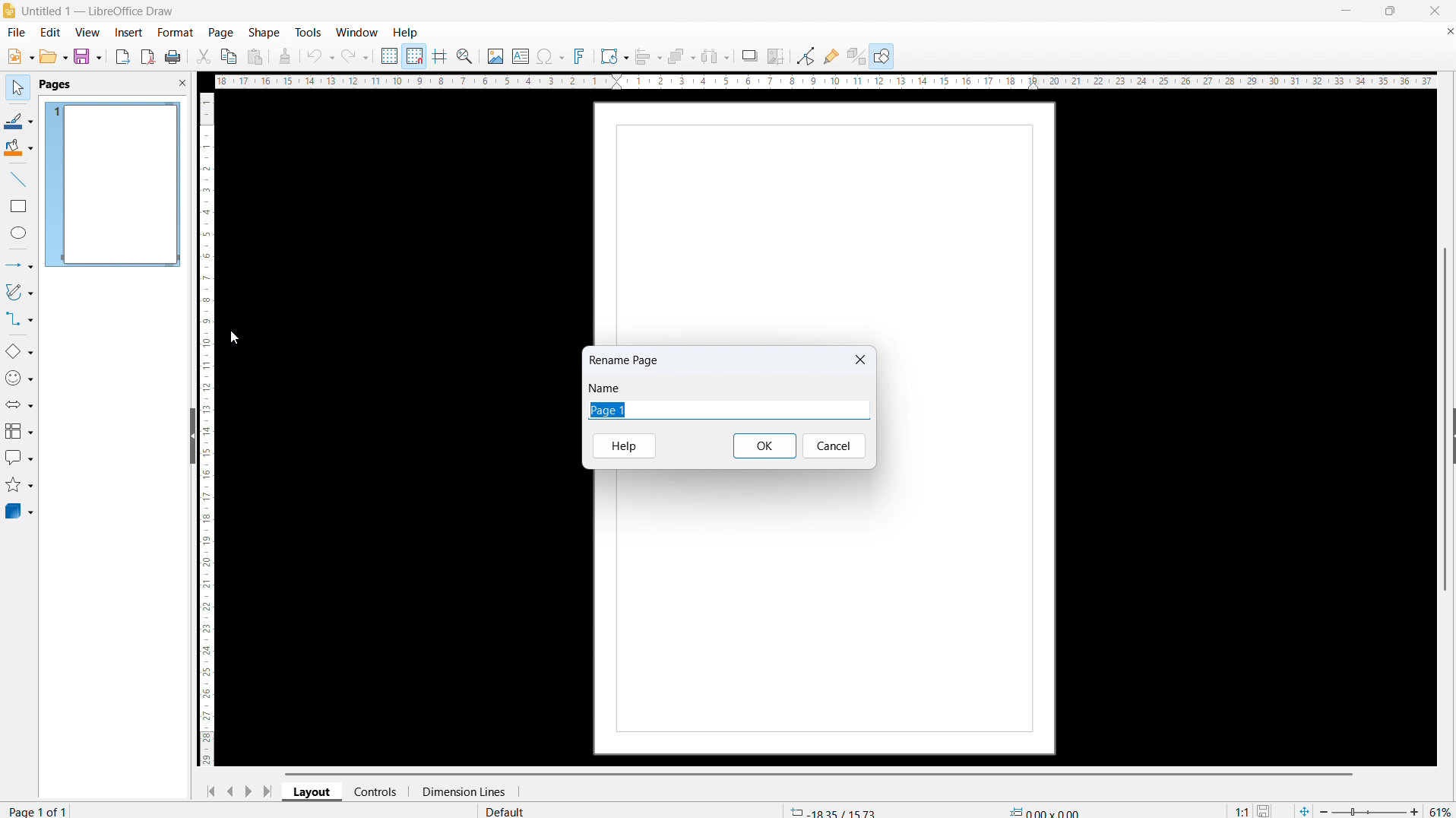  I want to click on  ok, so click(765, 445).